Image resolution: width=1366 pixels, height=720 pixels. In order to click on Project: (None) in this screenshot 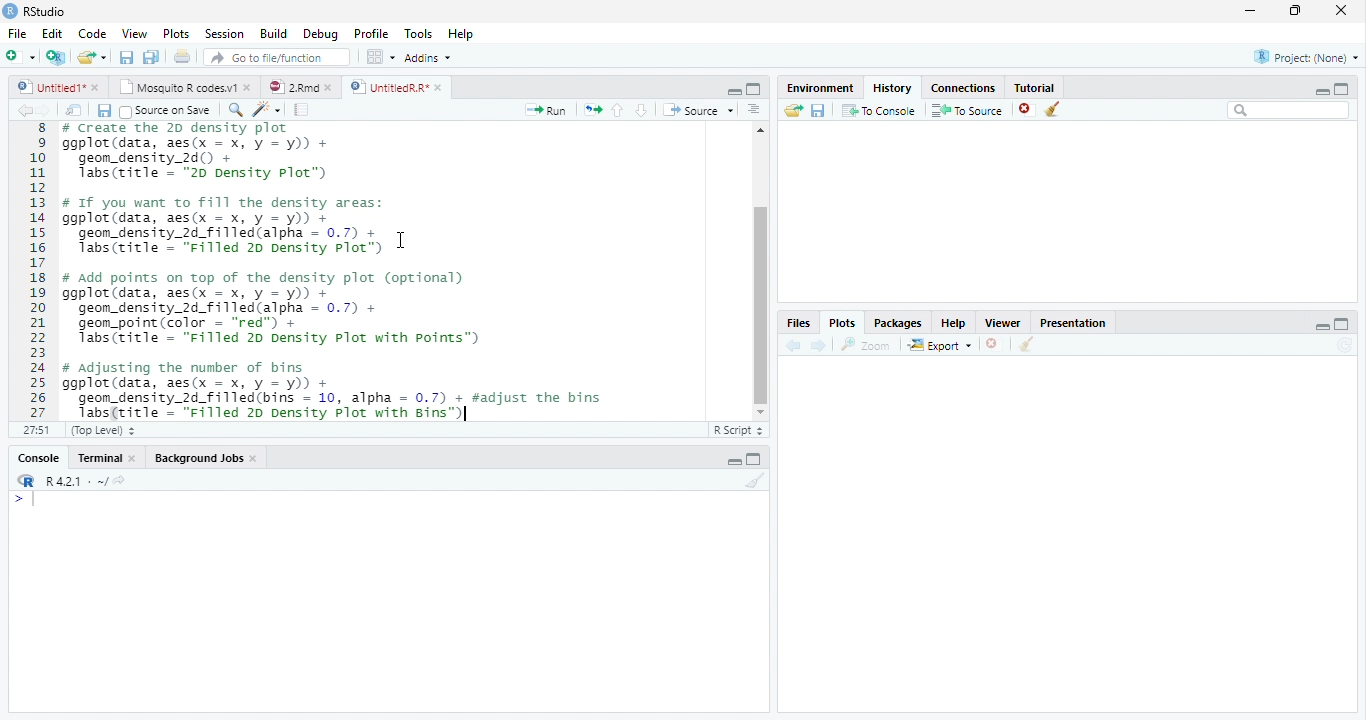, I will do `click(1305, 57)`.